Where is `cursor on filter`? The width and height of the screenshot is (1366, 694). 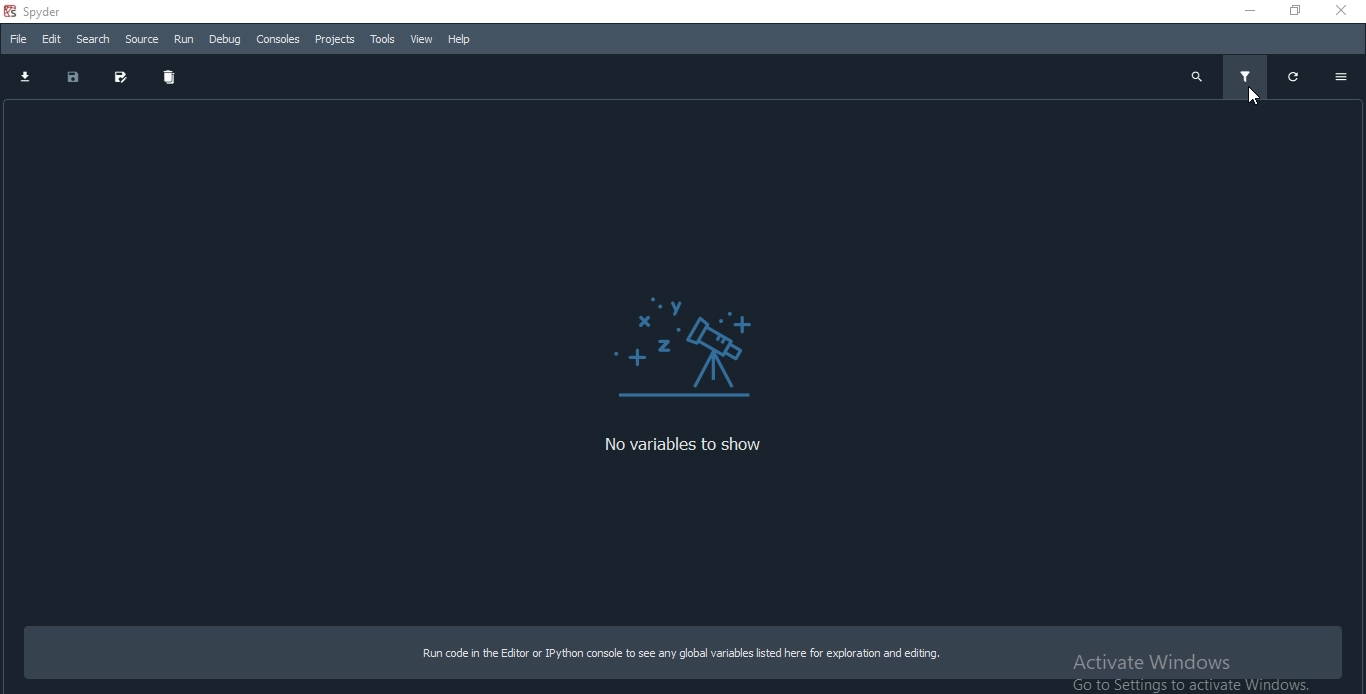 cursor on filter is located at coordinates (1255, 95).